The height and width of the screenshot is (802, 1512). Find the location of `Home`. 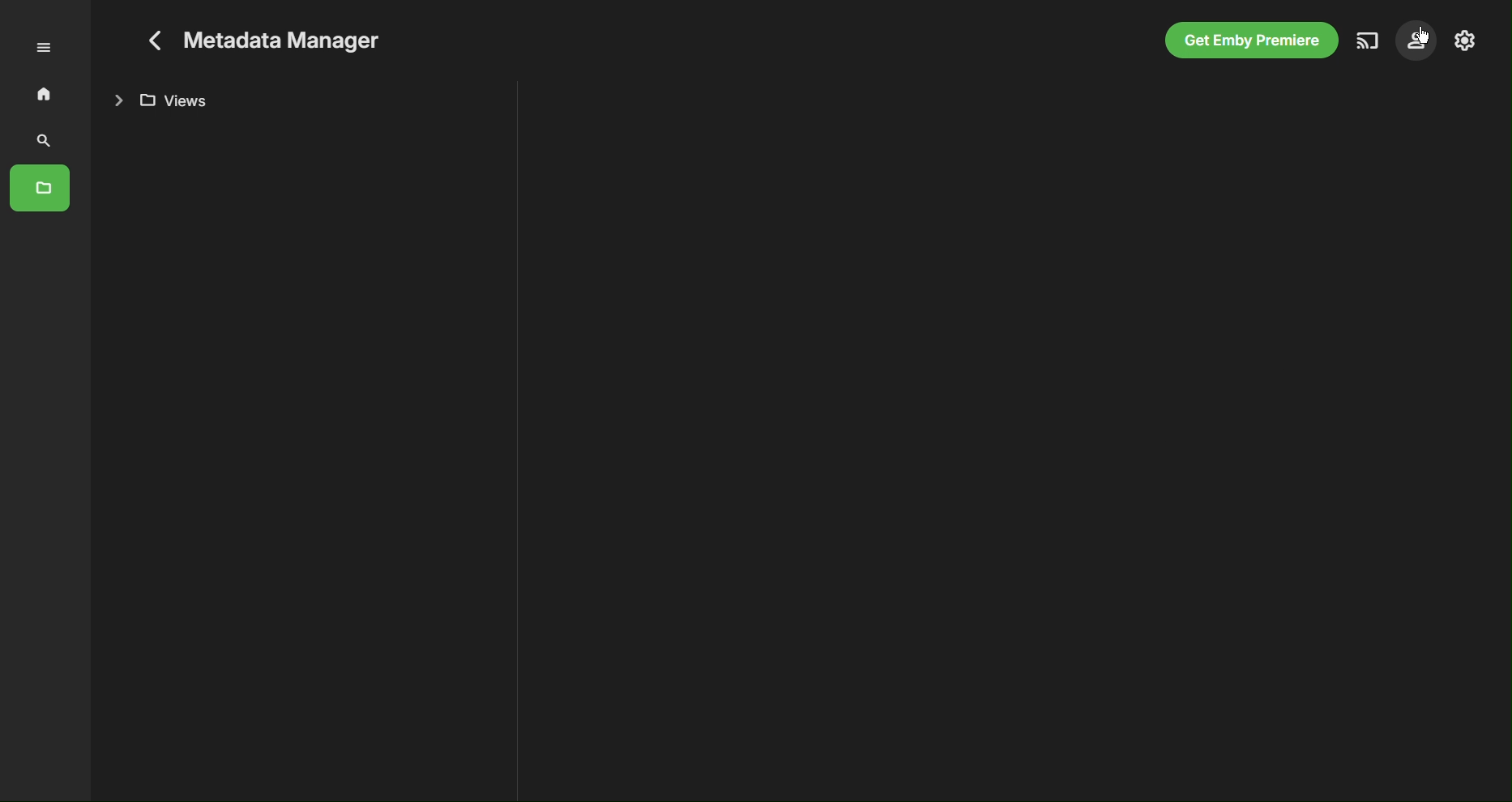

Home is located at coordinates (43, 93).